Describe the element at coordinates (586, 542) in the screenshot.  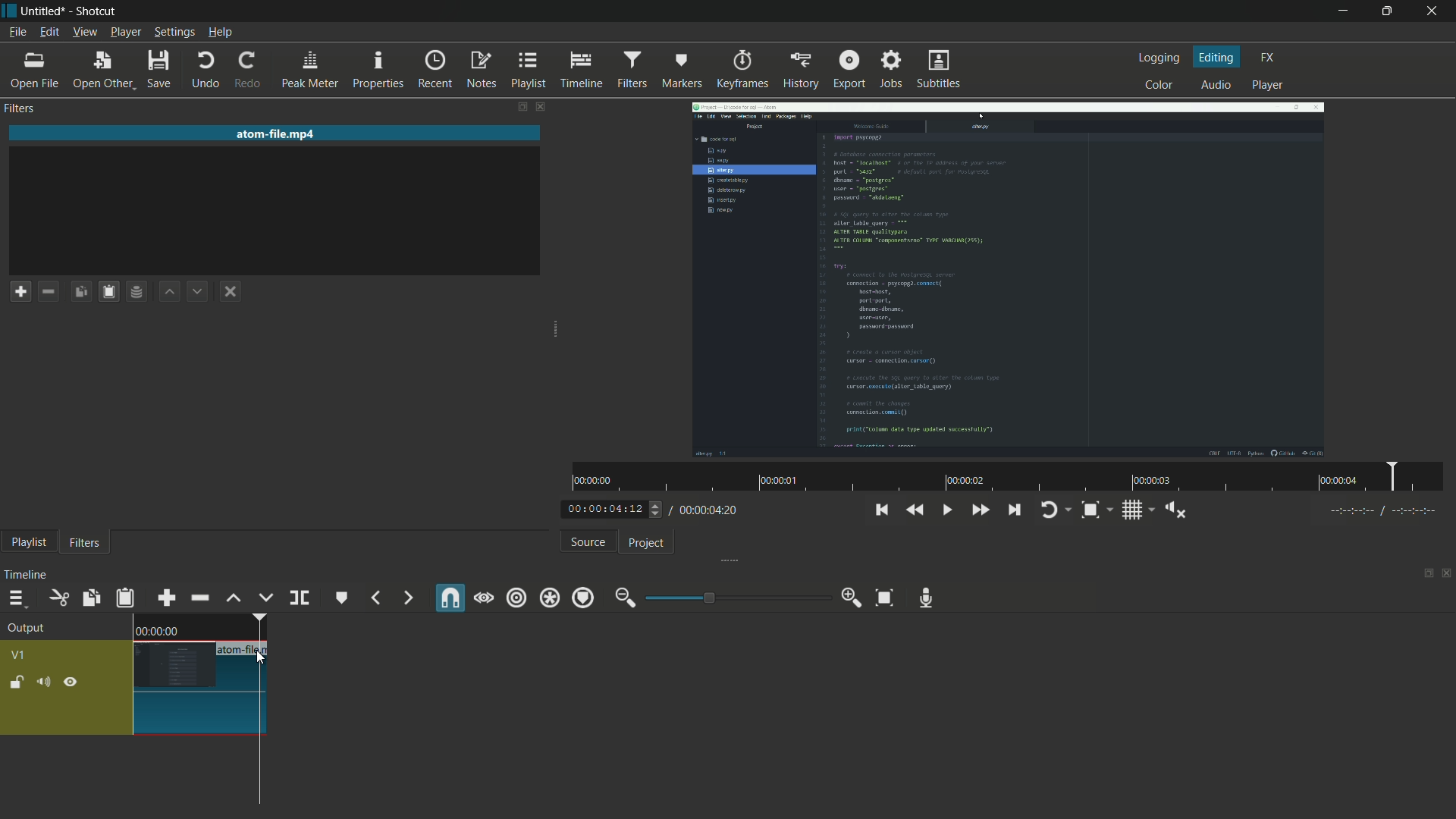
I see `source` at that location.